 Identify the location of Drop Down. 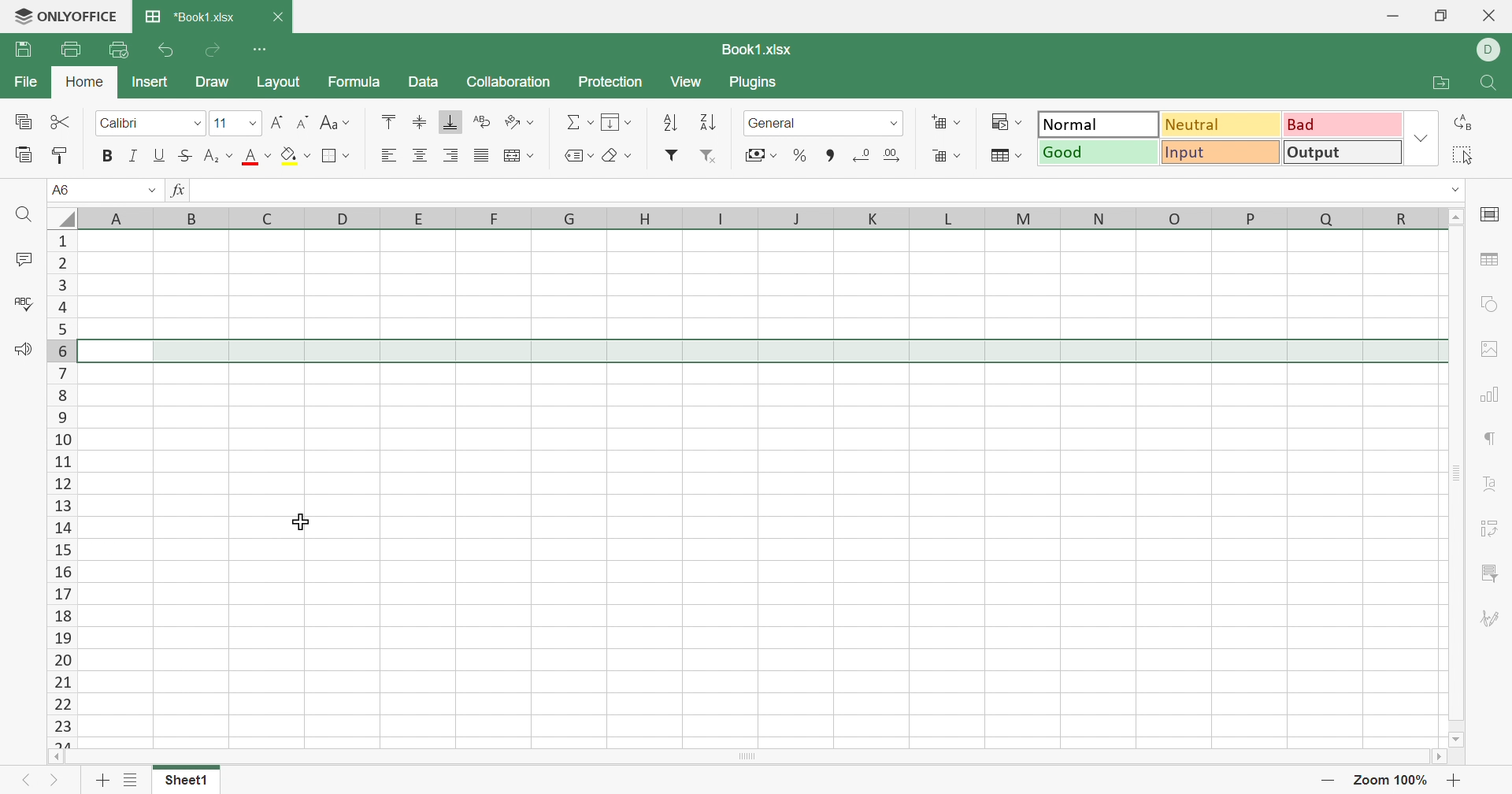
(1421, 139).